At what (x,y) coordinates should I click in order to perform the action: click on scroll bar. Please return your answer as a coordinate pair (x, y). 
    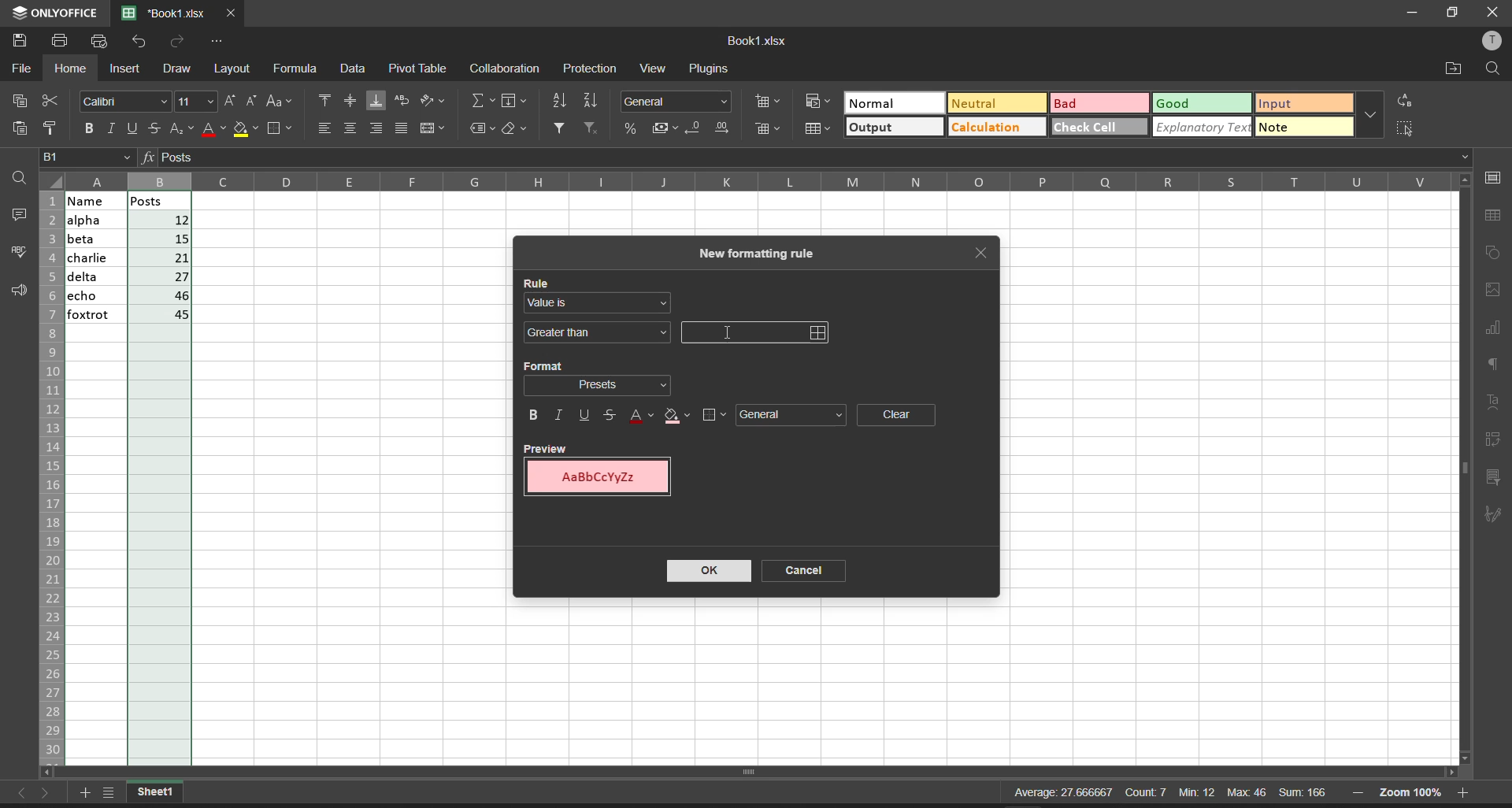
    Looking at the image, I should click on (757, 765).